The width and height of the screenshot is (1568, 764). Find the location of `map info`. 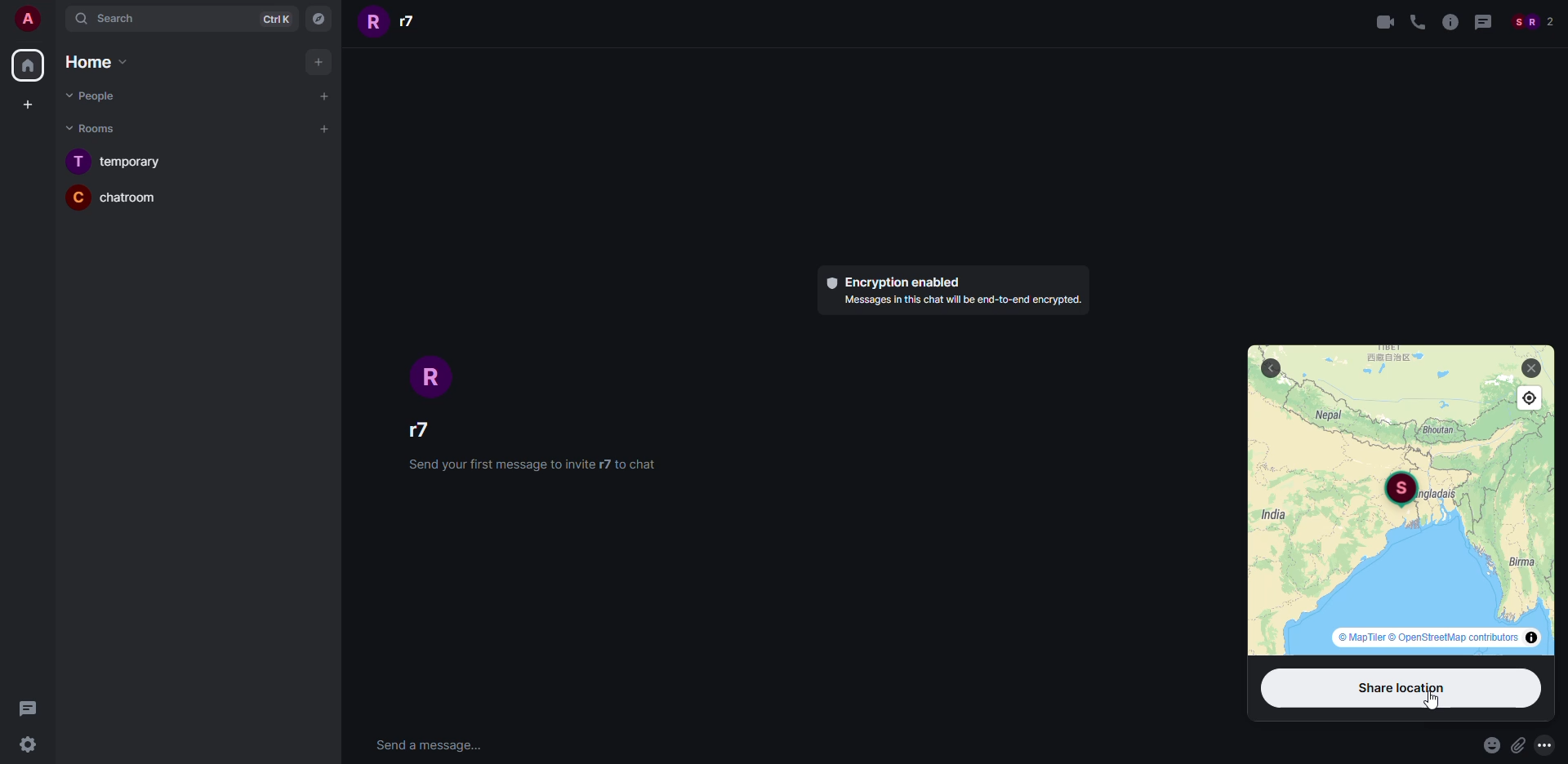

map info is located at coordinates (1436, 637).